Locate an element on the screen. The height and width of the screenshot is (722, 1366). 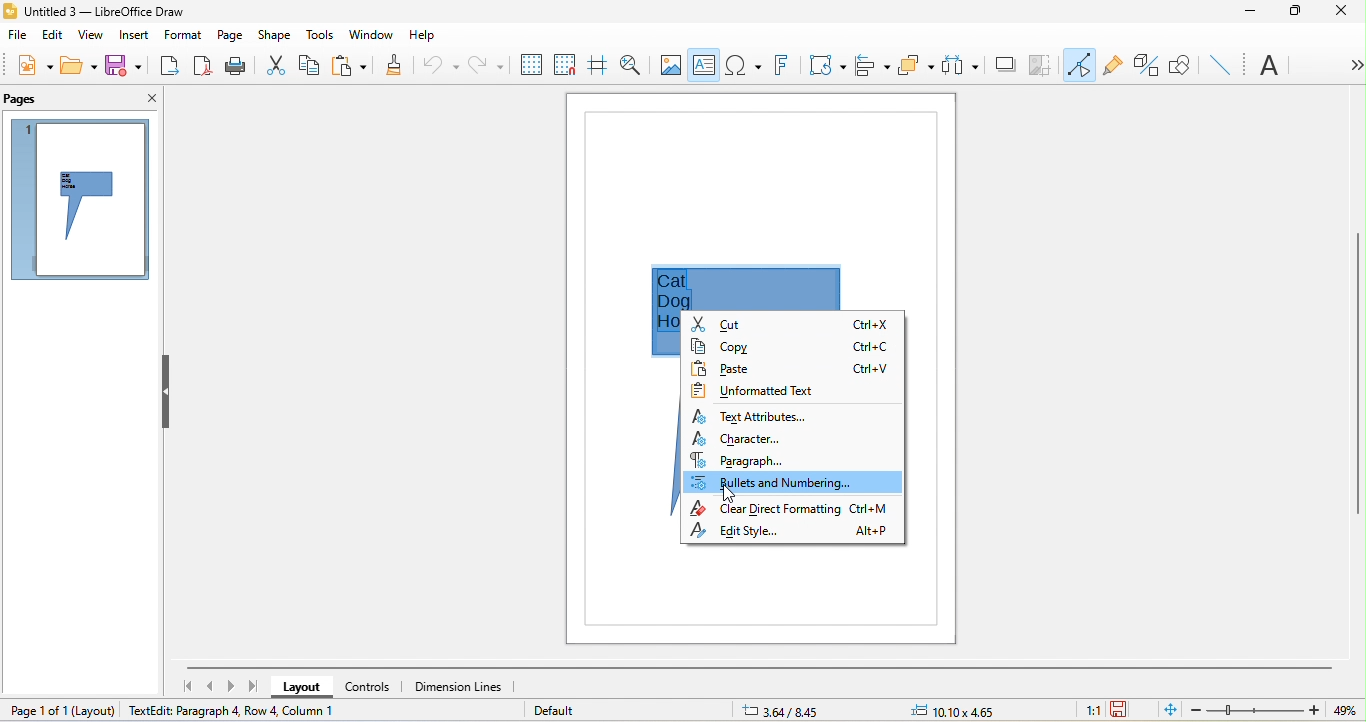
transformation is located at coordinates (827, 68).